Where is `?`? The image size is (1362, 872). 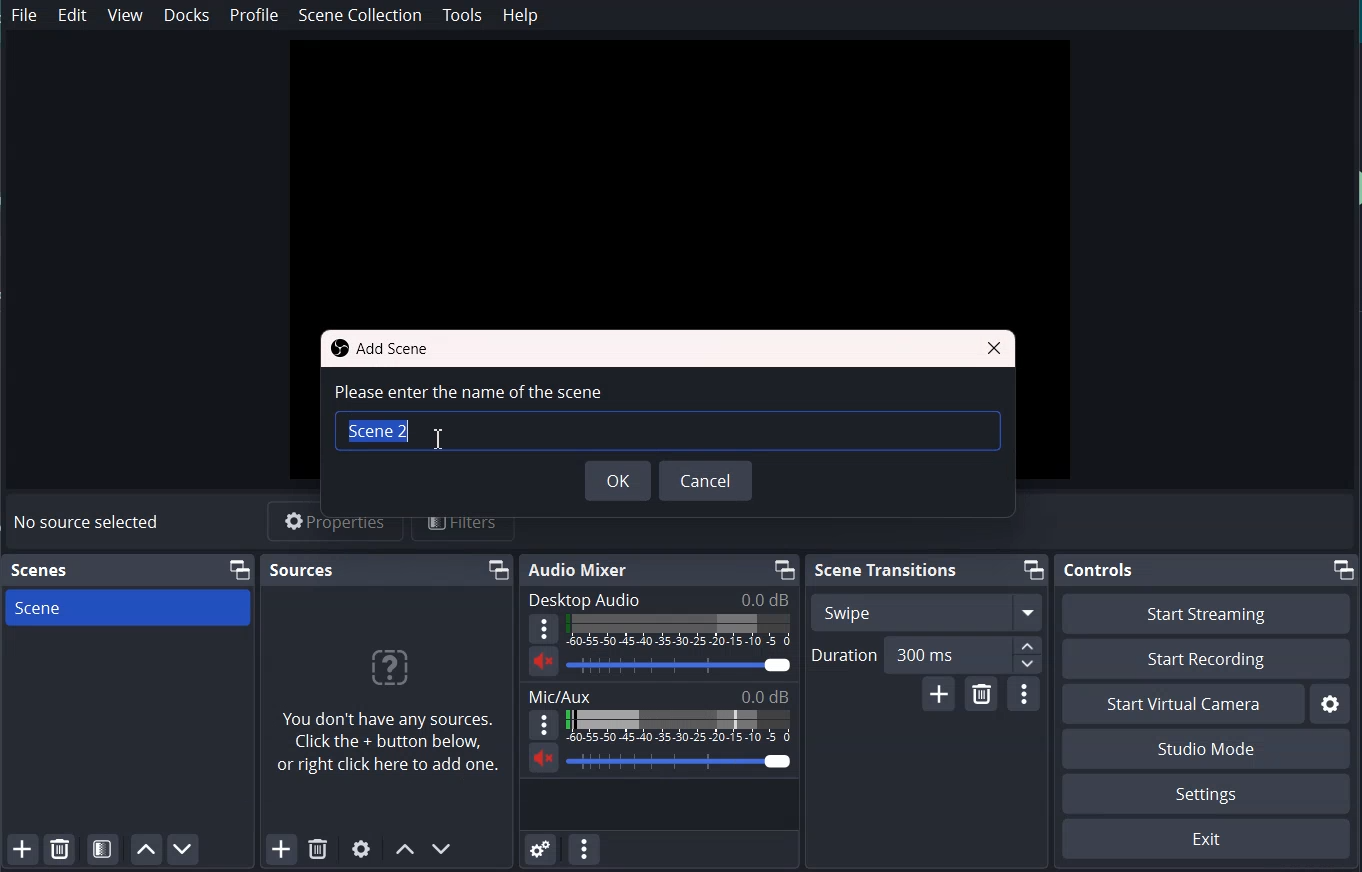
? is located at coordinates (387, 672).